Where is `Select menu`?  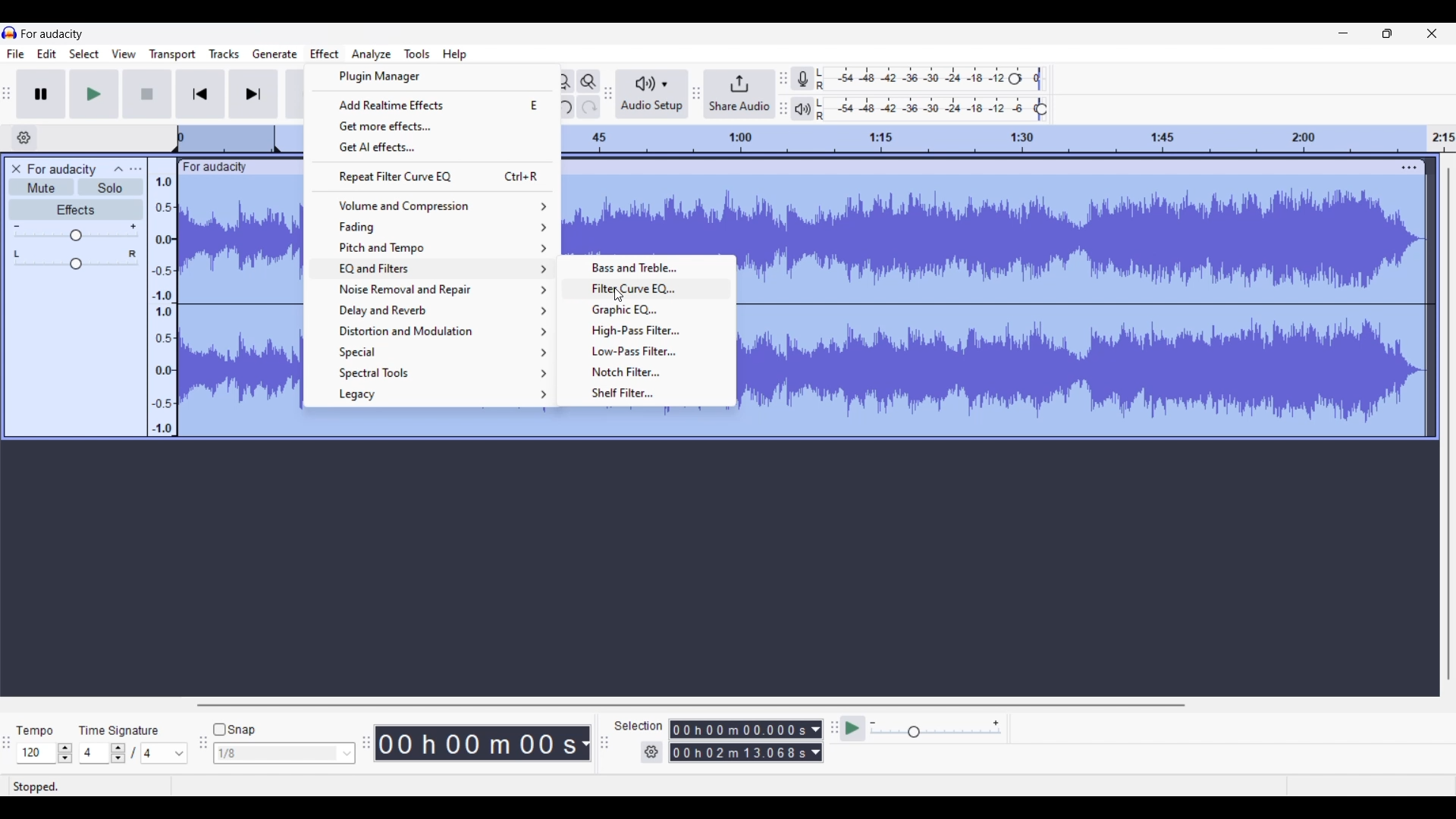
Select menu is located at coordinates (84, 55).